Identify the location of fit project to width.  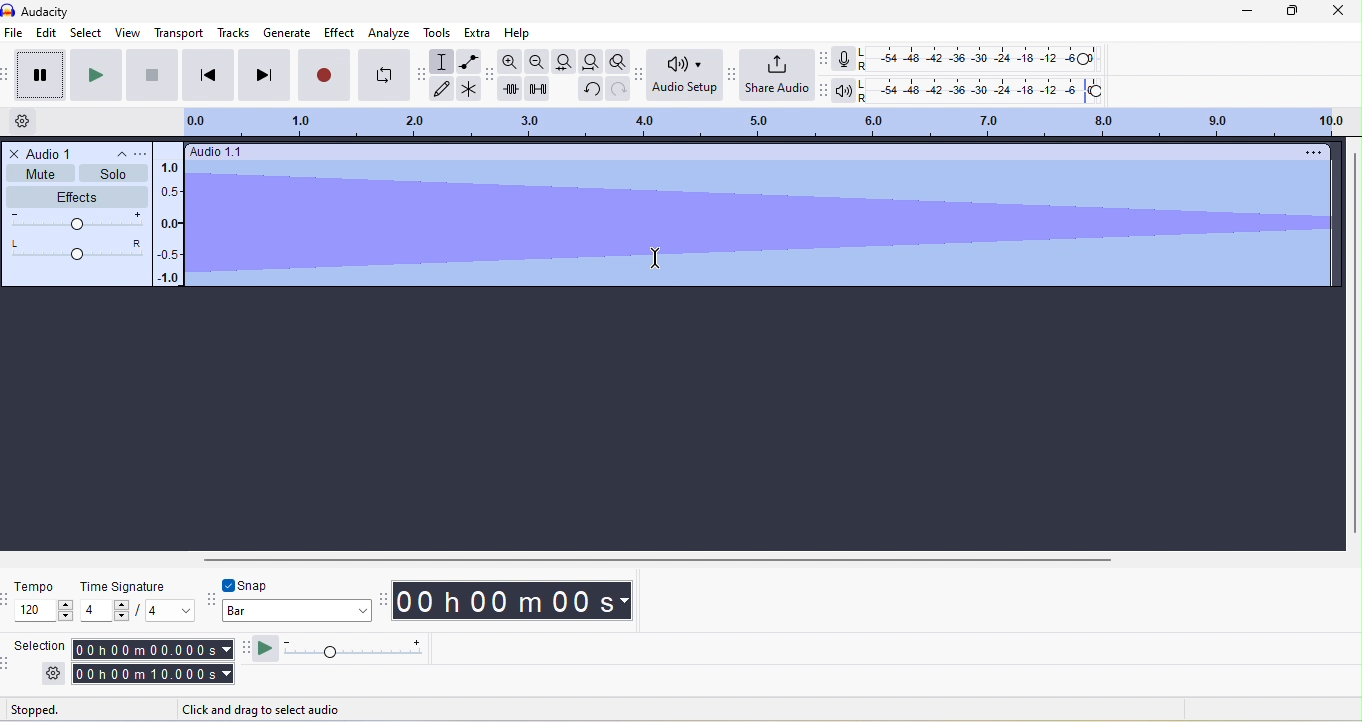
(590, 62).